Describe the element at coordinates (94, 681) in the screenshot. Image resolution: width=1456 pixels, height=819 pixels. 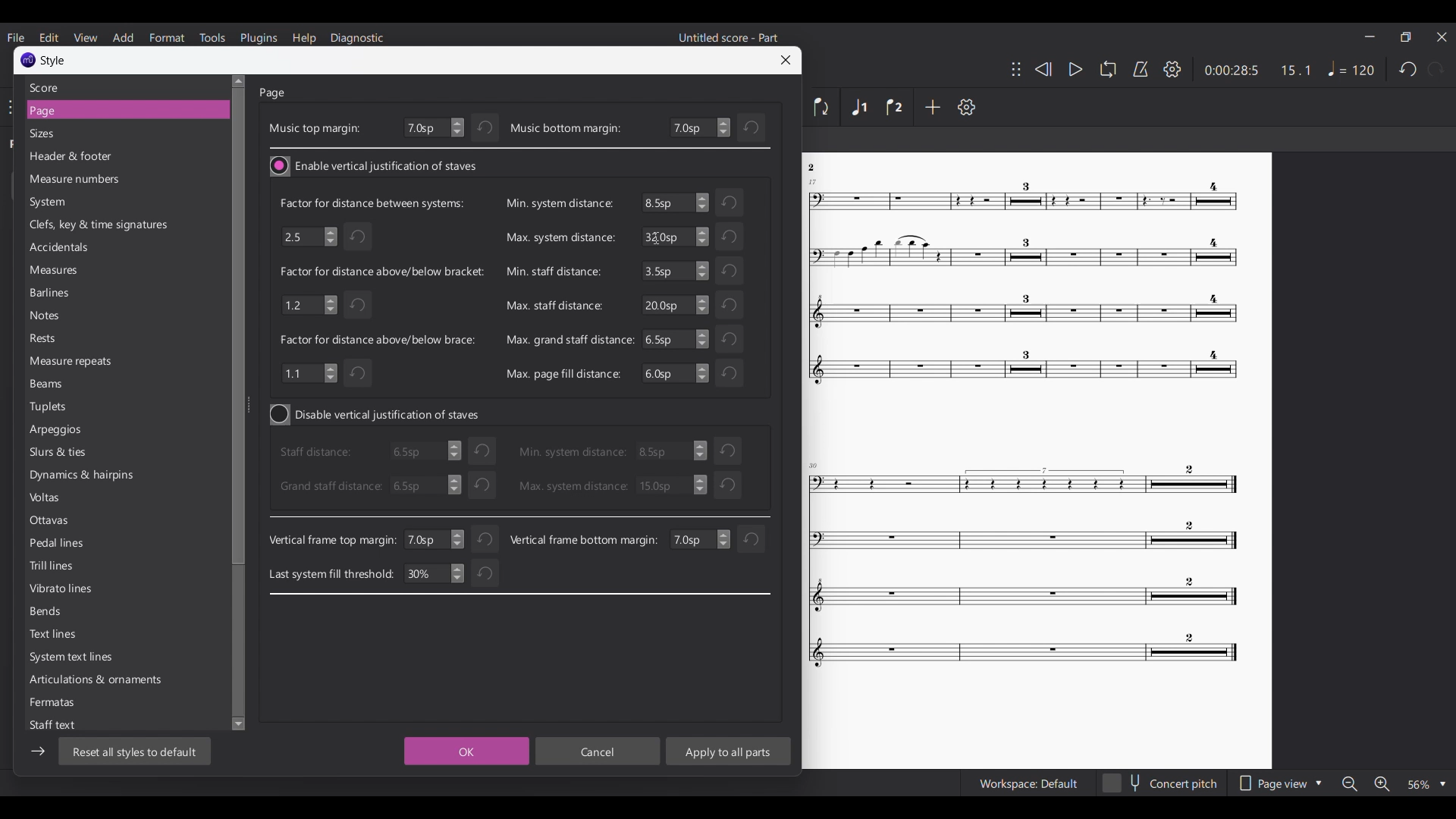
I see `Articulations & ornaments` at that location.